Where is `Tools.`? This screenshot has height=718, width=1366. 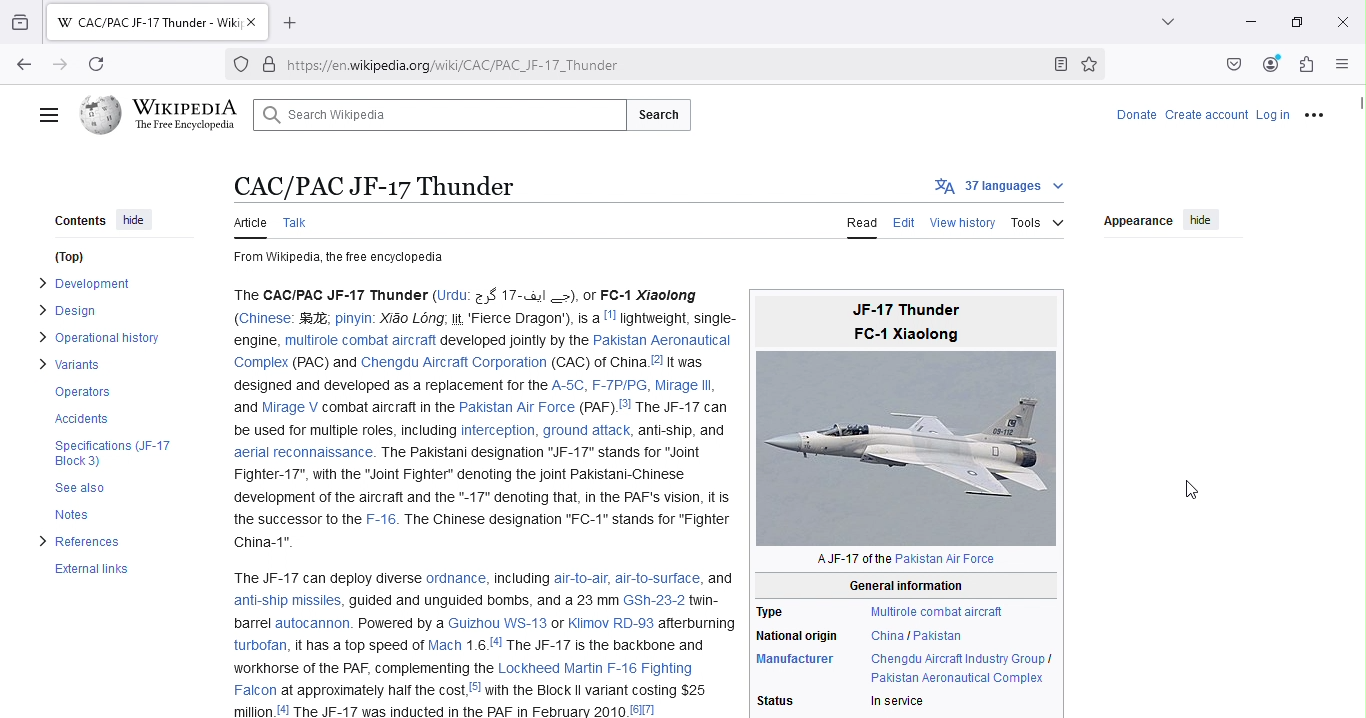 Tools. is located at coordinates (1038, 221).